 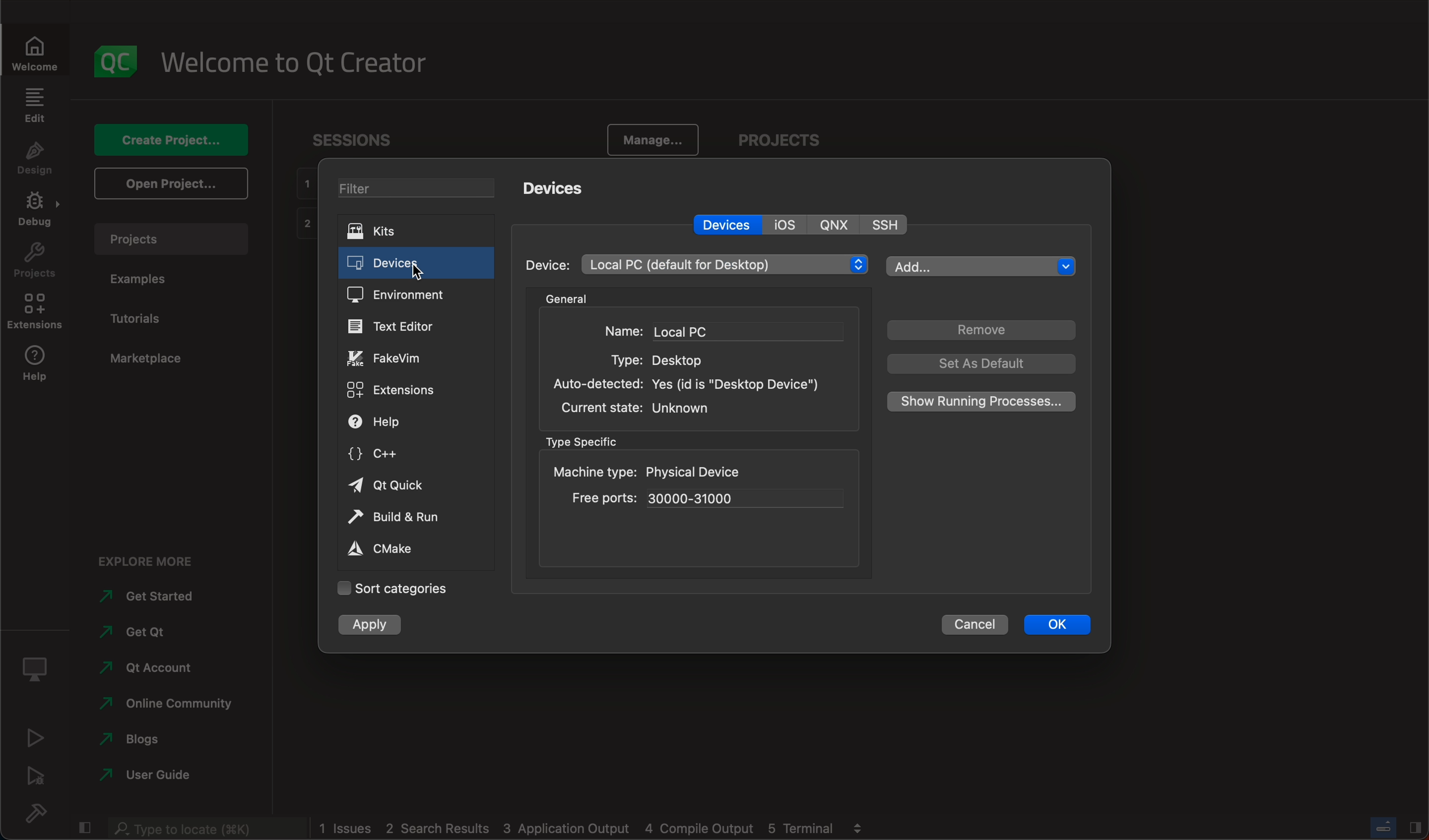 What do you see at coordinates (303, 205) in the screenshot?
I see `1 2` at bounding box center [303, 205].